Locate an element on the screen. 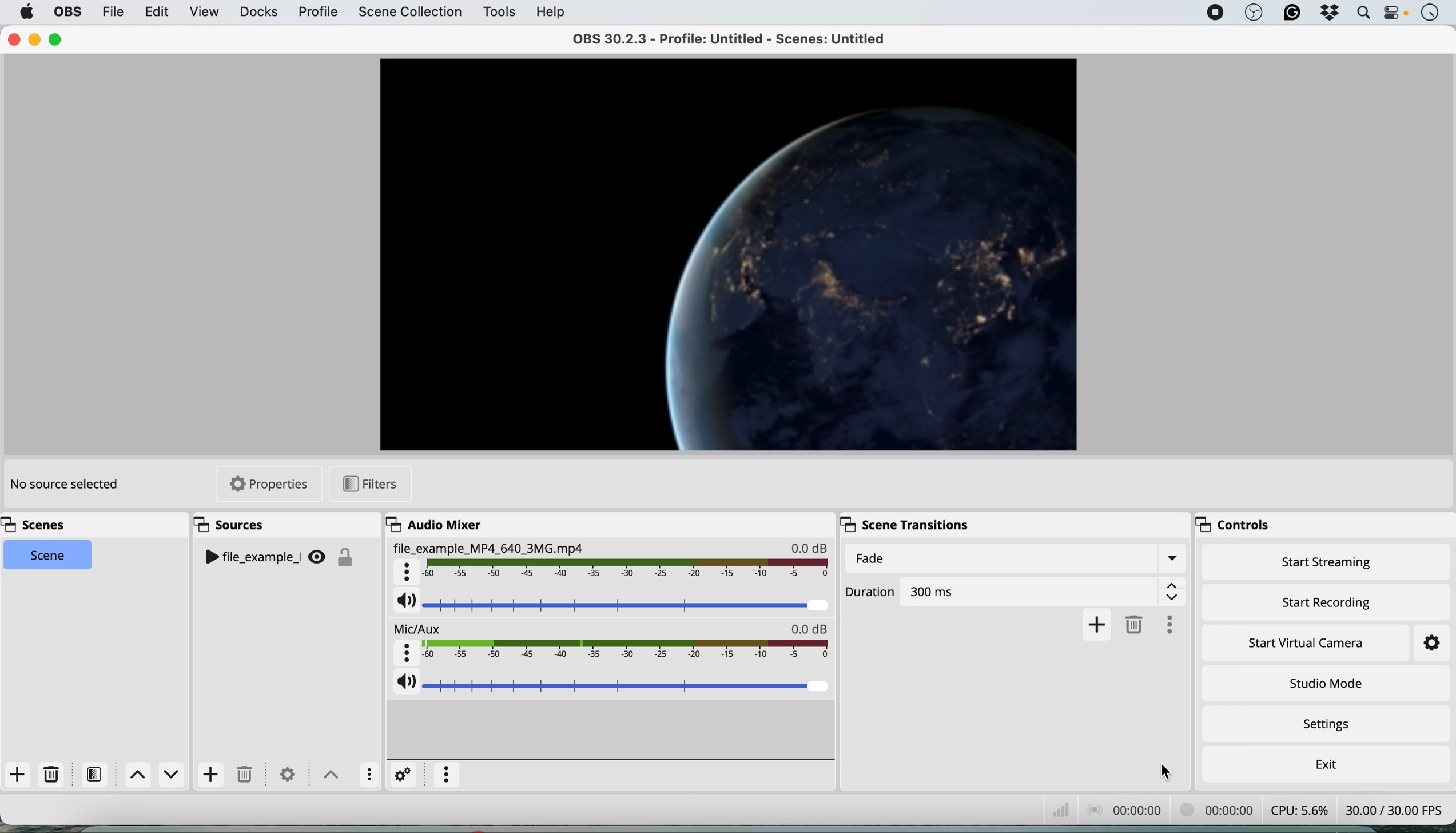 The image size is (1456, 833). transition duration is located at coordinates (1018, 589).